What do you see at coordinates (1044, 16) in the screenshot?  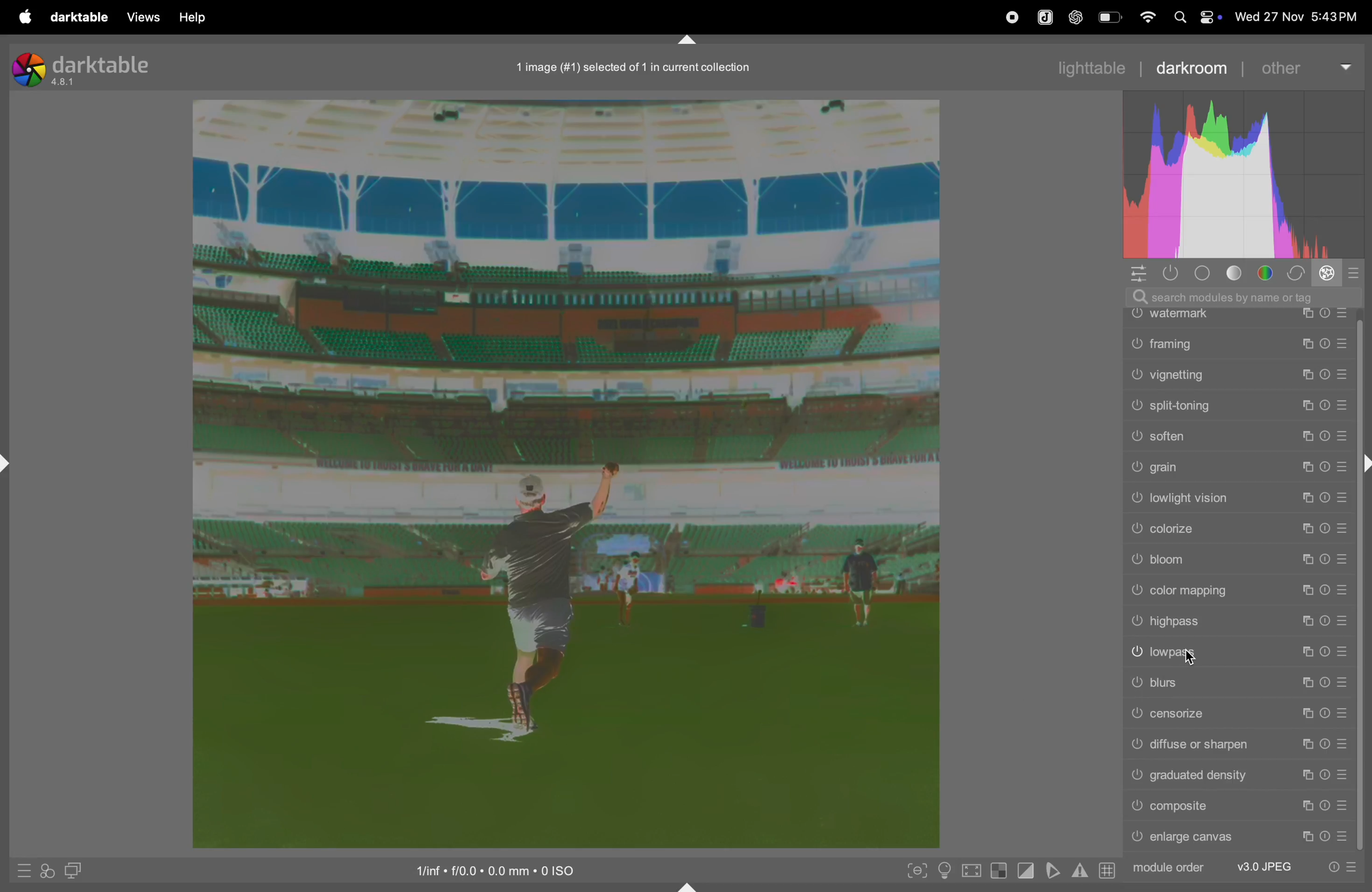 I see `joplin` at bounding box center [1044, 16].